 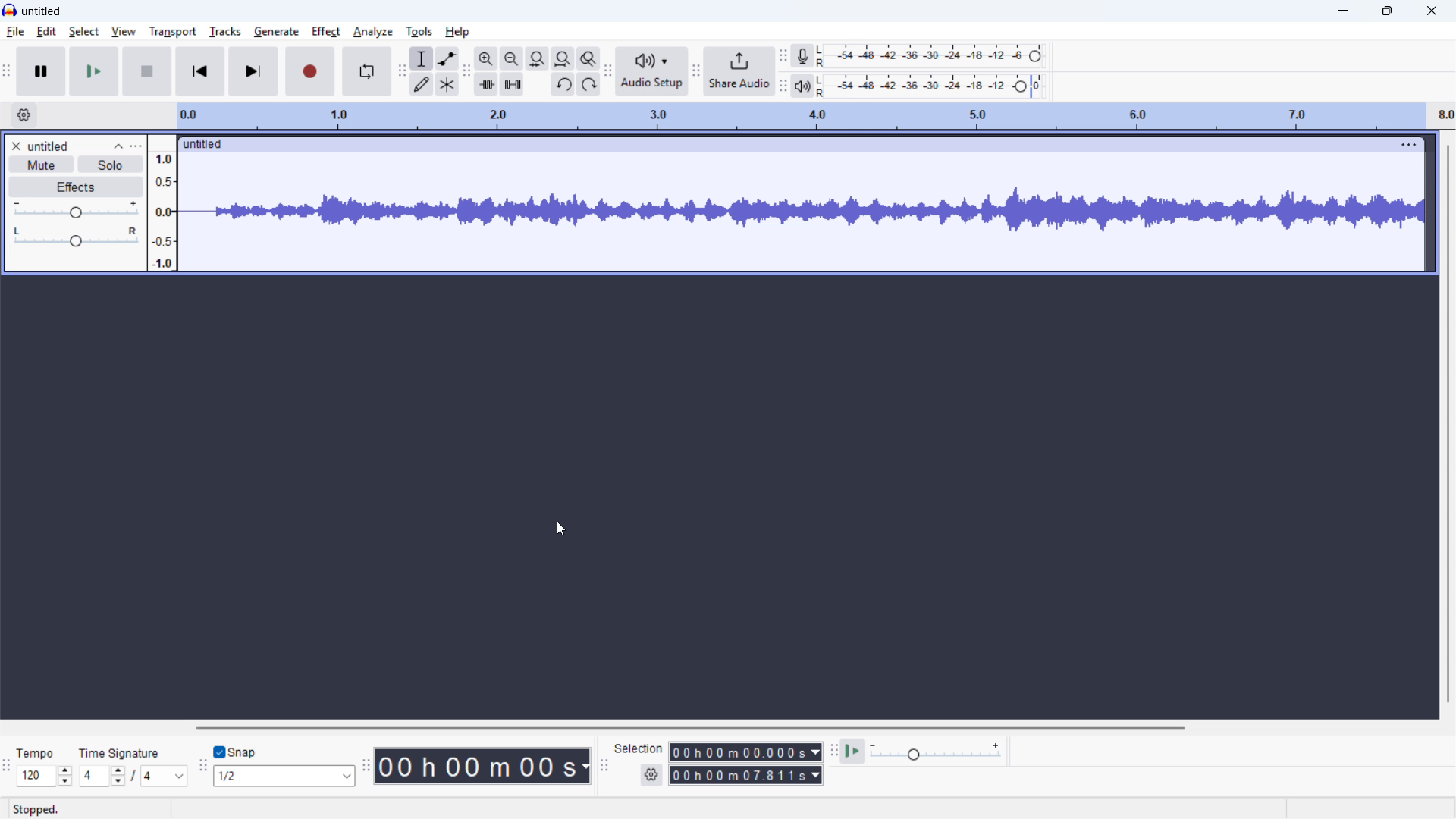 I want to click on skip to start, so click(x=200, y=71).